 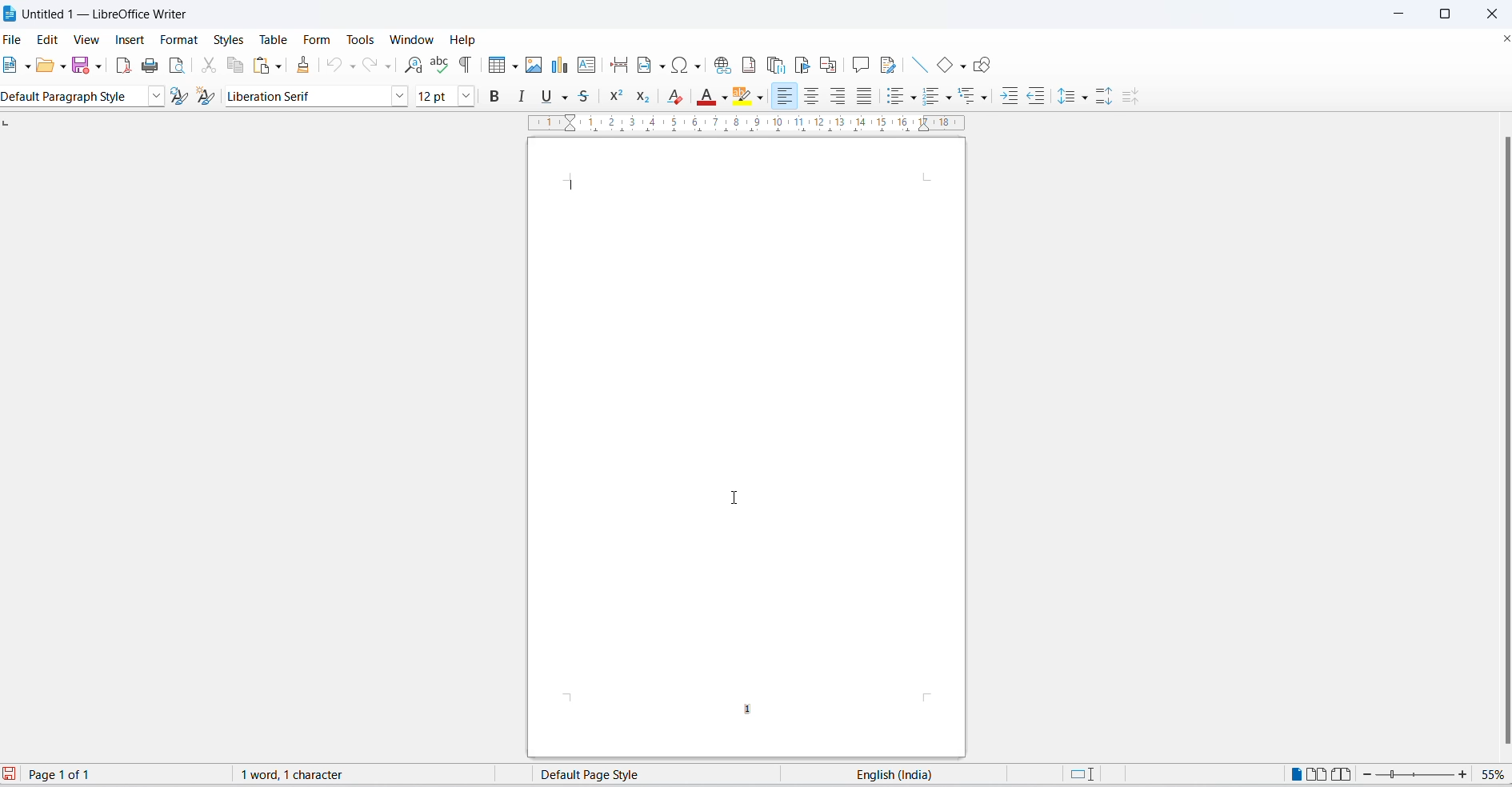 What do you see at coordinates (44, 68) in the screenshot?
I see `open ` at bounding box center [44, 68].